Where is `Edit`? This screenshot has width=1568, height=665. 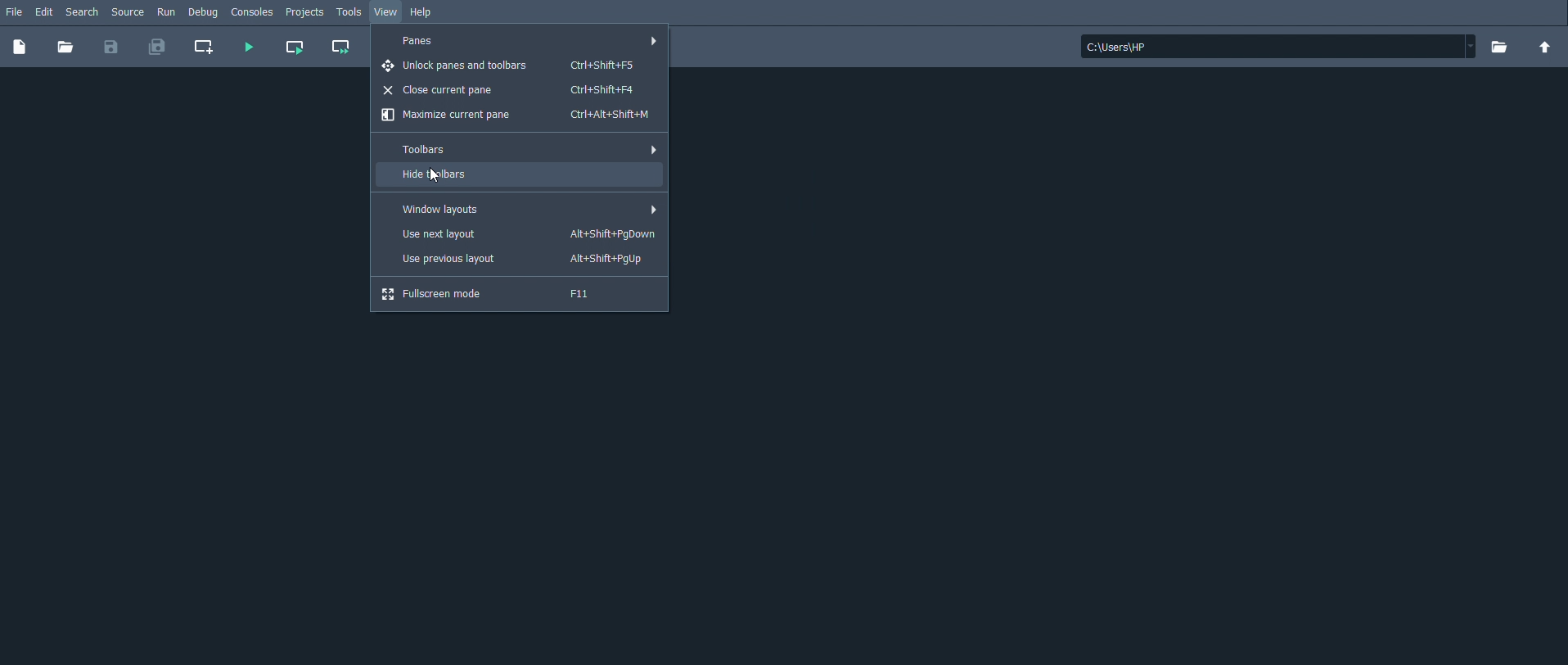 Edit is located at coordinates (43, 11).